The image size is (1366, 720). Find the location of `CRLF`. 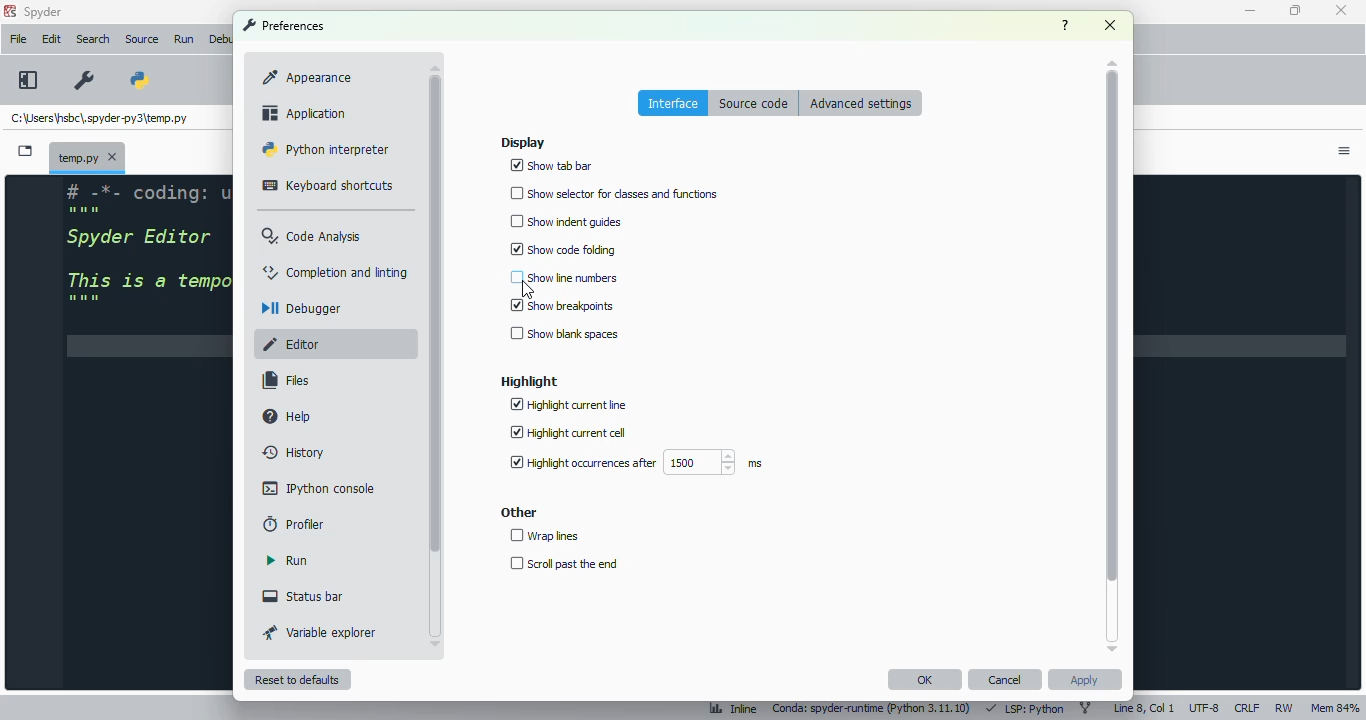

CRLF is located at coordinates (1247, 707).